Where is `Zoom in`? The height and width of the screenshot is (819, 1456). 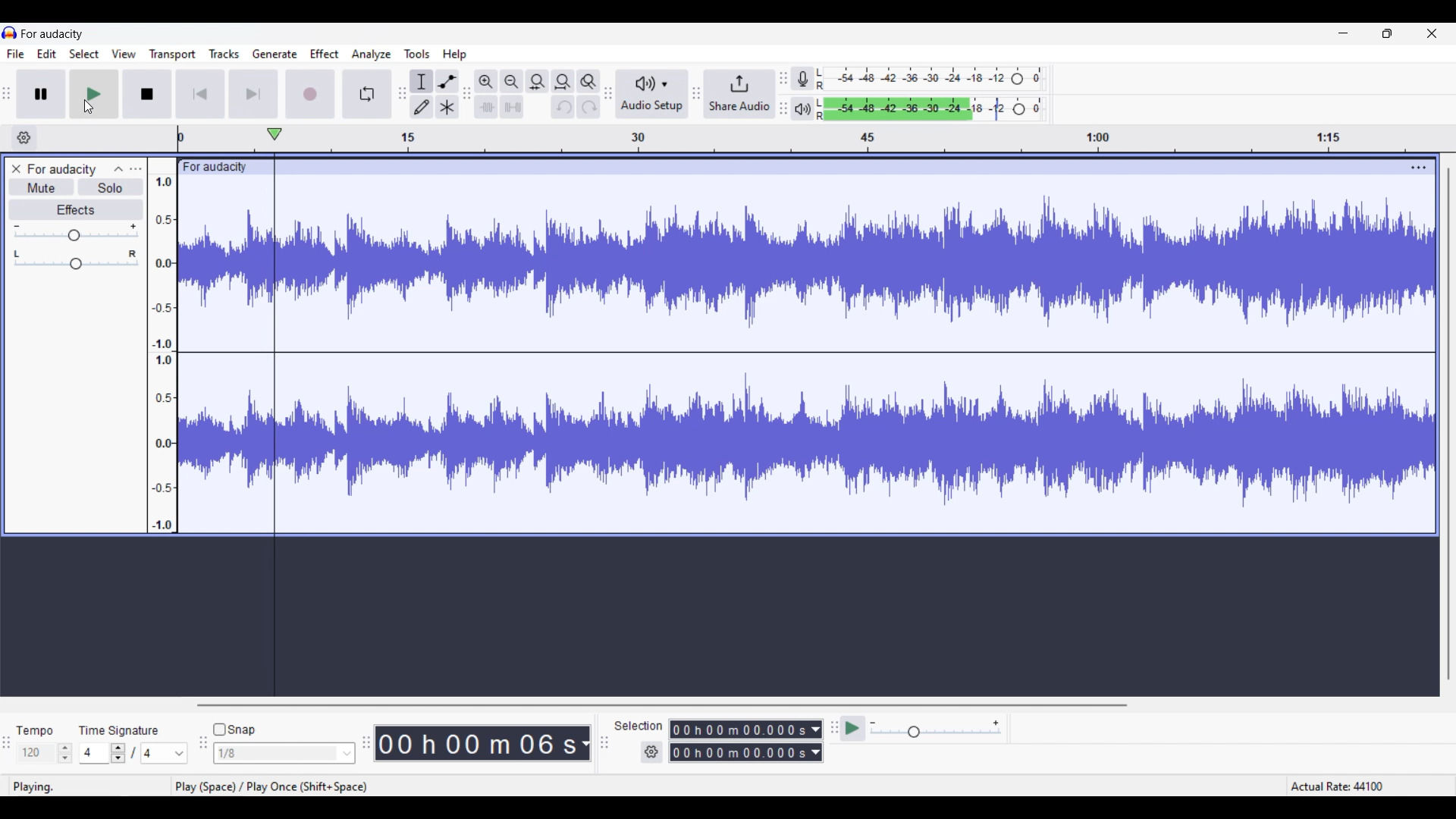 Zoom in is located at coordinates (486, 82).